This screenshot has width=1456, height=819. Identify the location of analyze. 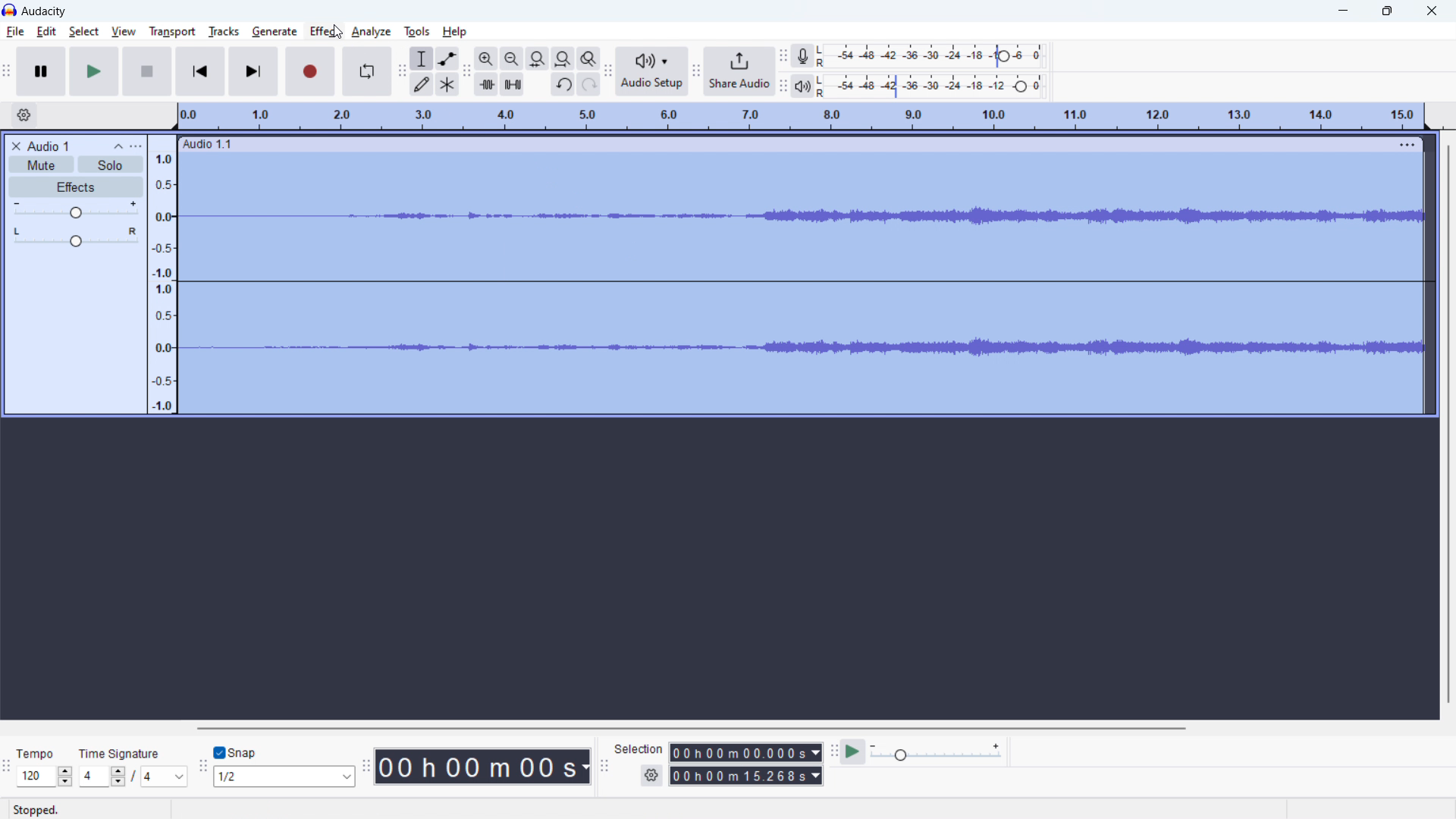
(371, 33).